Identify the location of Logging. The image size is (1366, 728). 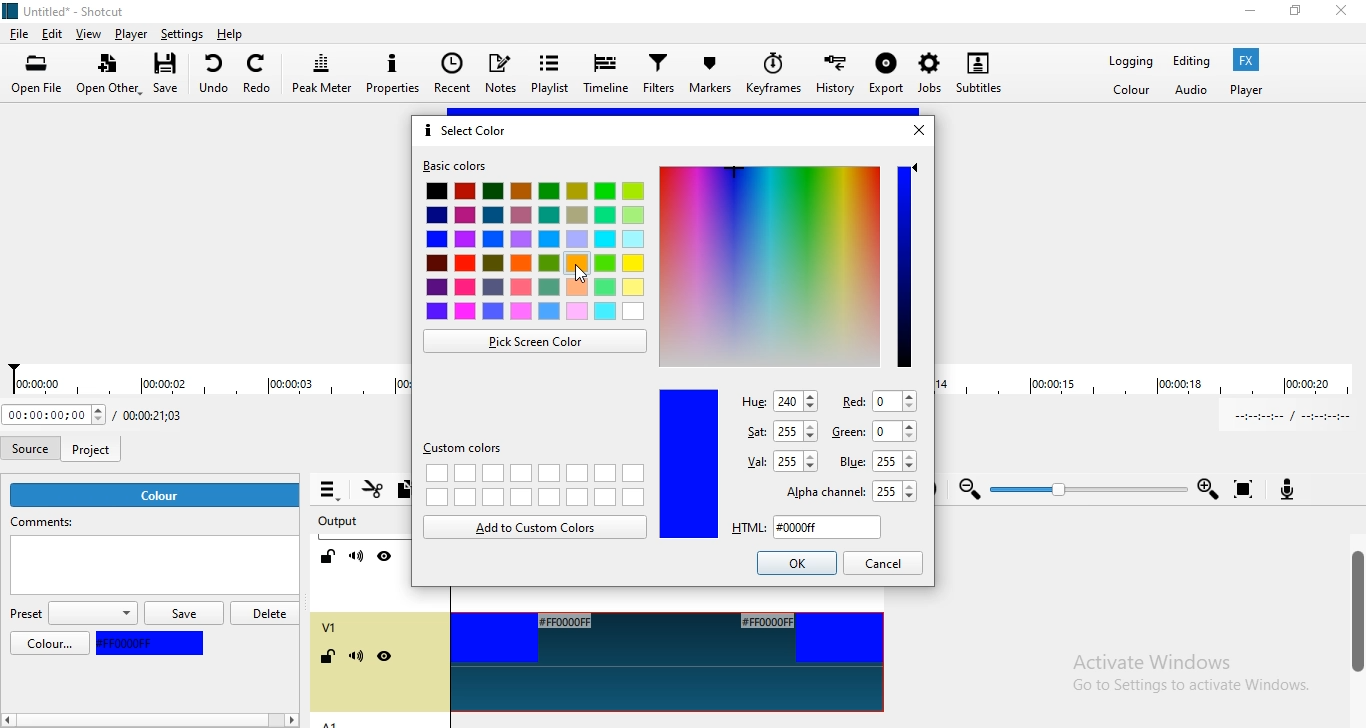
(1125, 61).